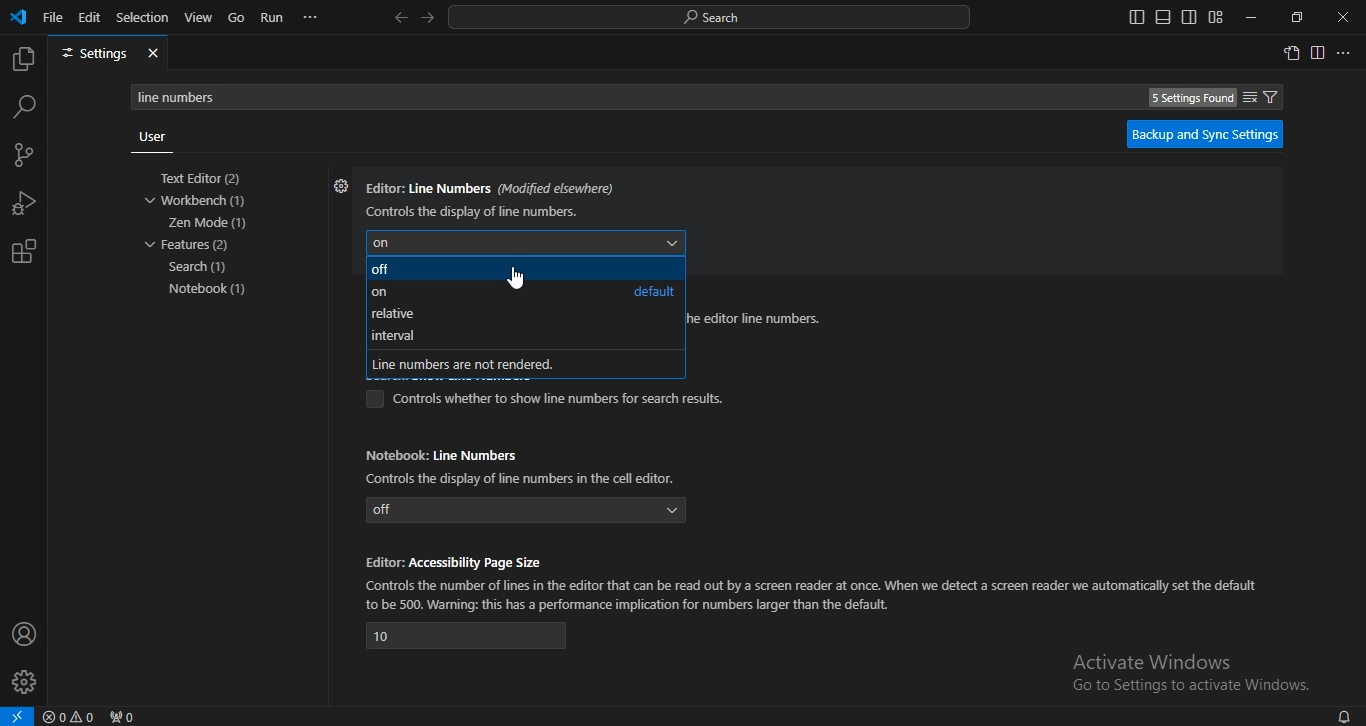 The image size is (1366, 726). What do you see at coordinates (90, 16) in the screenshot?
I see `edit` at bounding box center [90, 16].